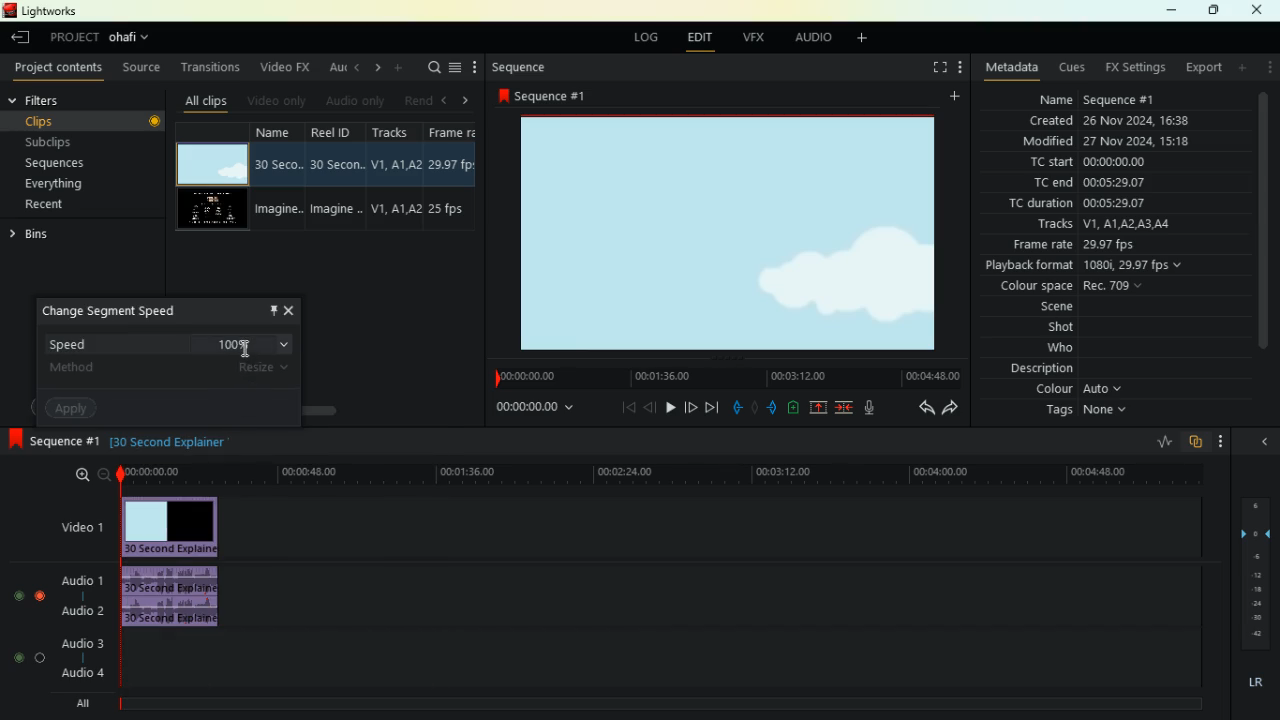 This screenshot has height=720, width=1280. I want to click on au, so click(338, 69).